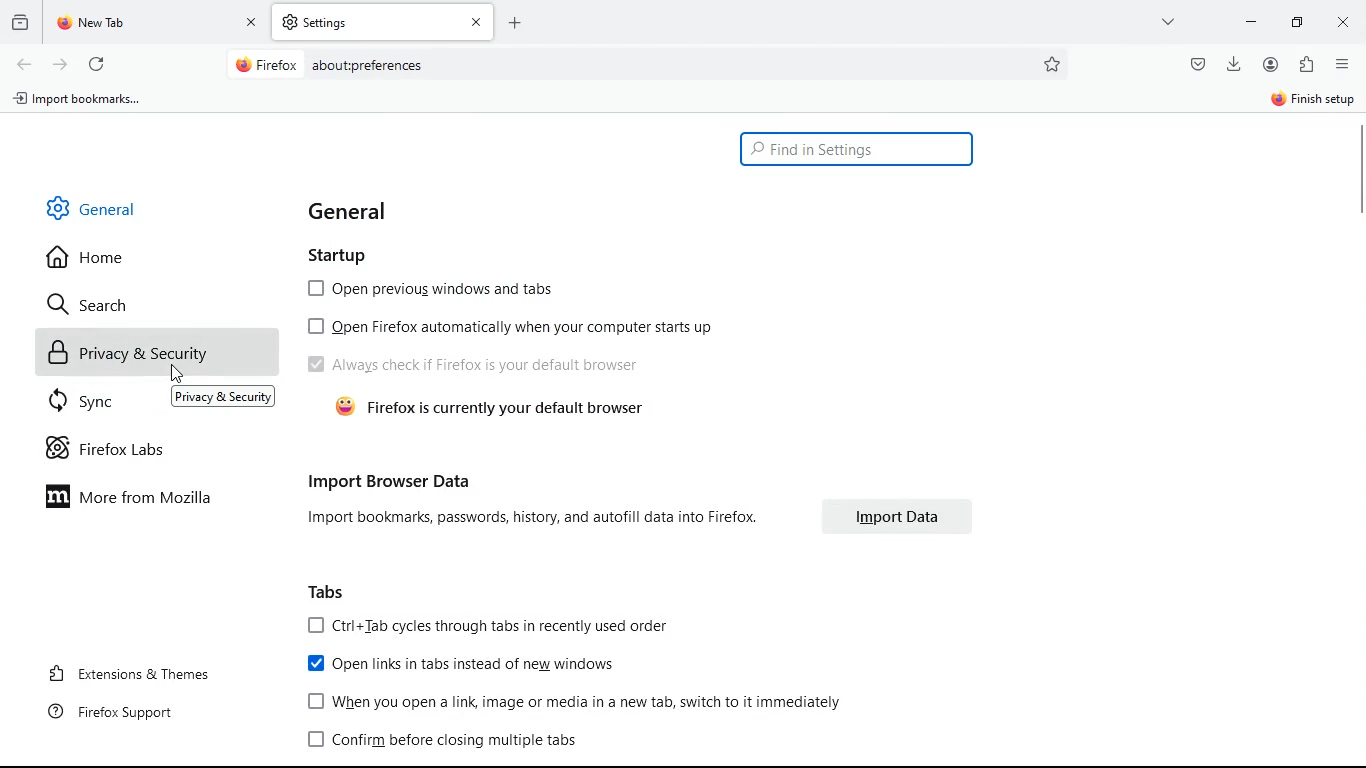 The height and width of the screenshot is (768, 1366). Describe the element at coordinates (1311, 101) in the screenshot. I see `sign in` at that location.